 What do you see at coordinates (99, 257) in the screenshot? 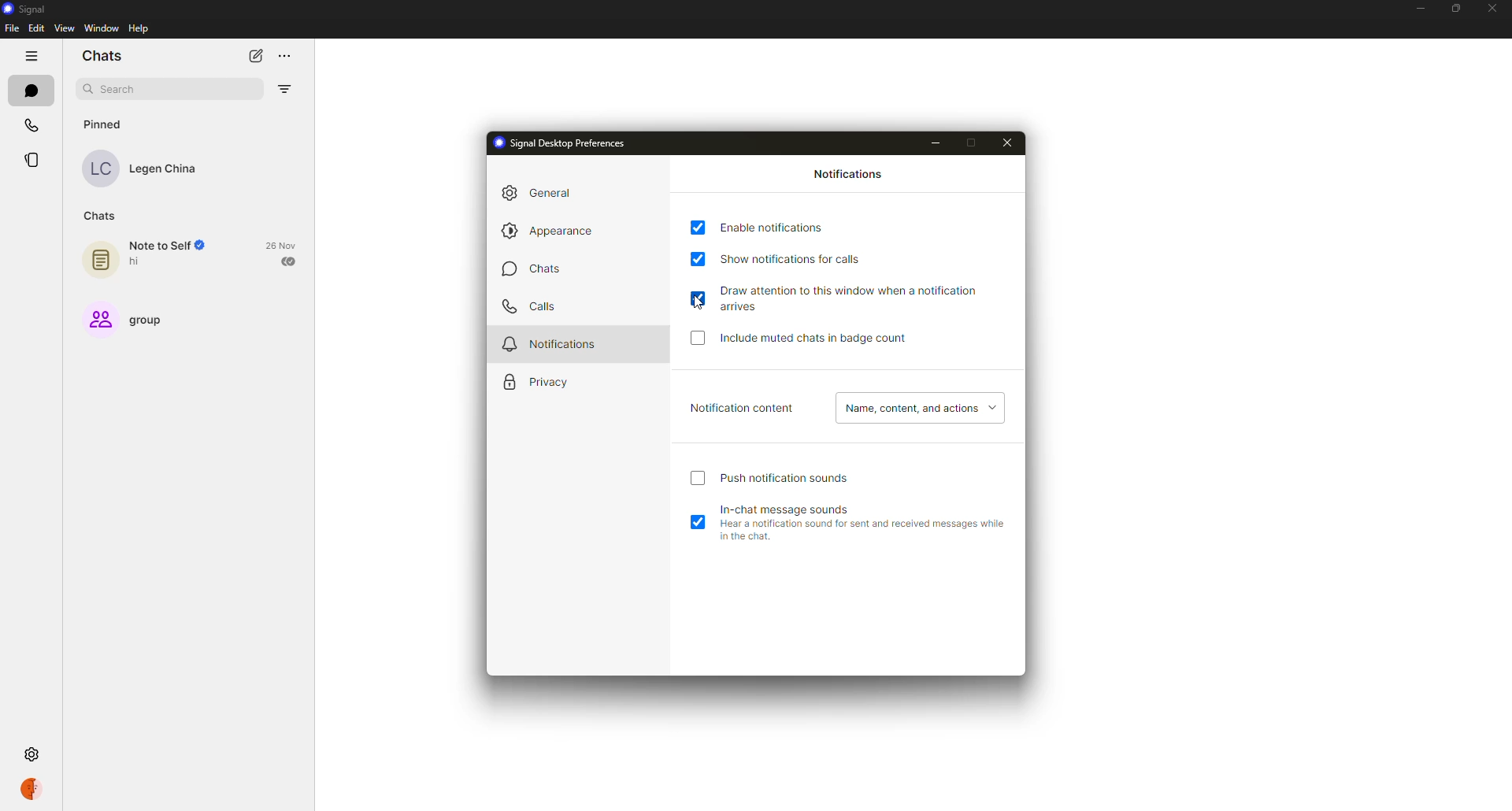
I see `Note icon` at bounding box center [99, 257].